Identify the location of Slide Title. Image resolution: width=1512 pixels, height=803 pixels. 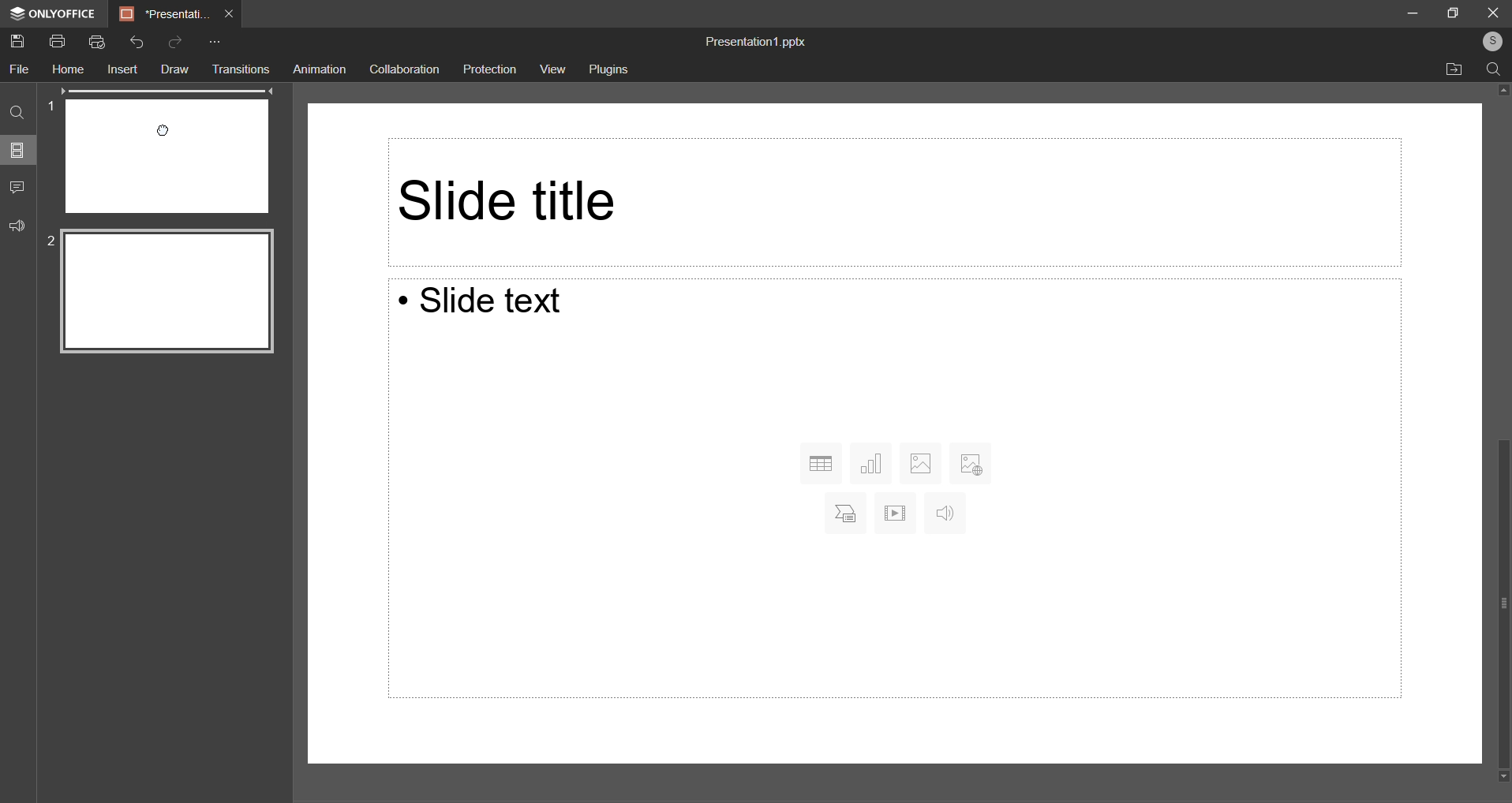
(888, 200).